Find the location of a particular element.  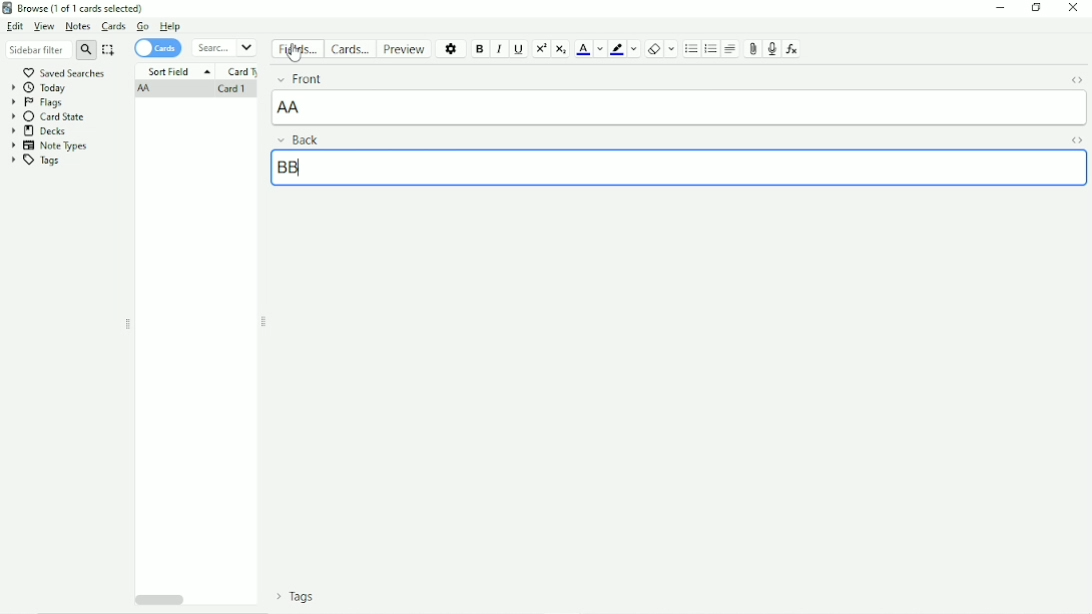

Resize is located at coordinates (264, 322).